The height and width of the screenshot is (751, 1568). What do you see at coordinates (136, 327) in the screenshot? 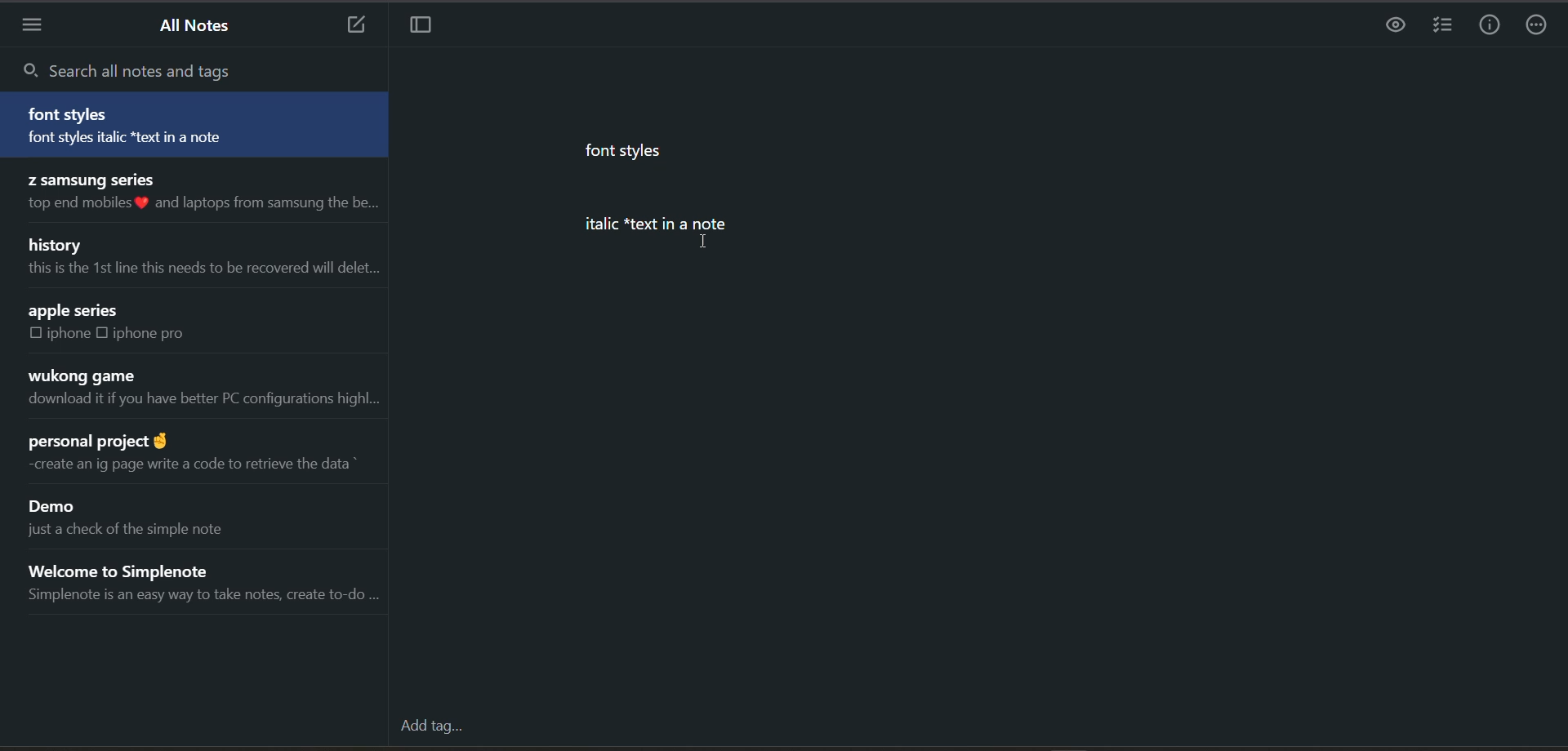
I see `note title and preview` at bounding box center [136, 327].